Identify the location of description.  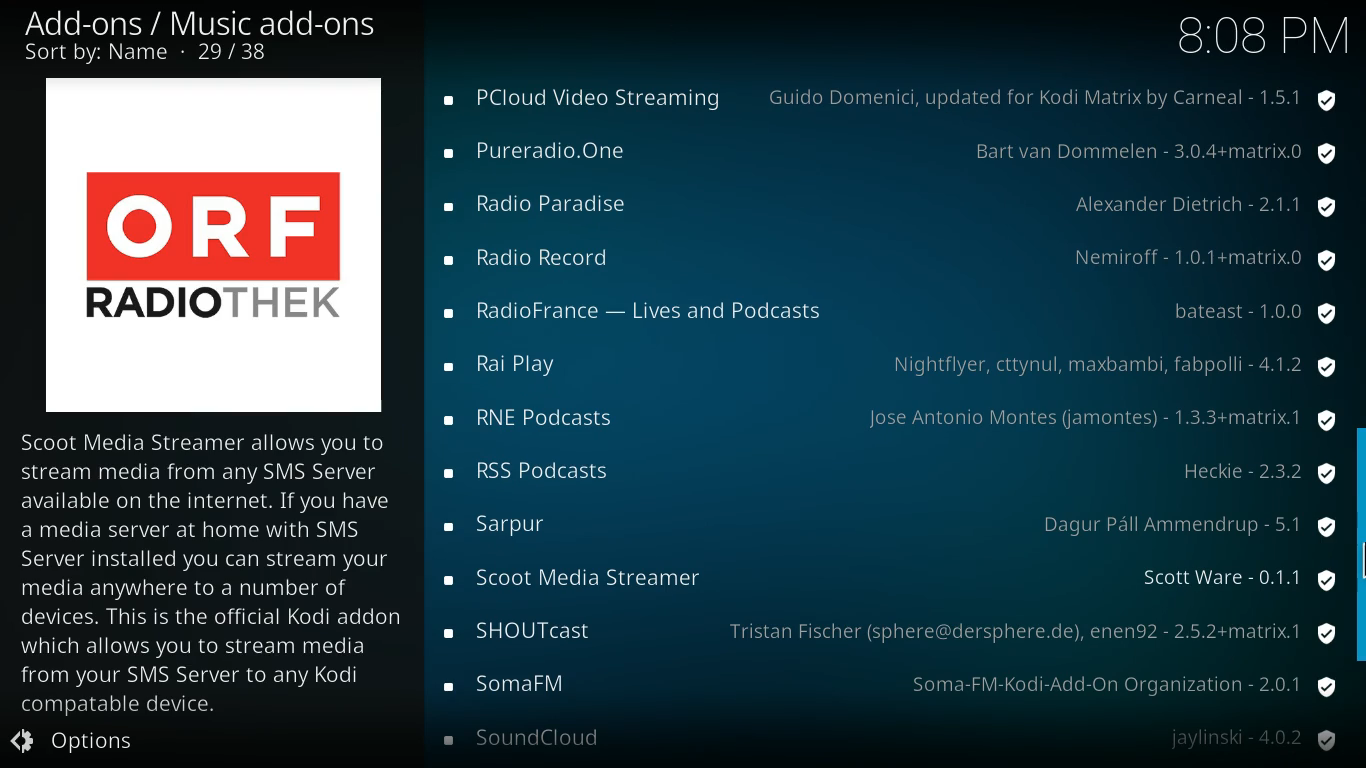
(216, 571).